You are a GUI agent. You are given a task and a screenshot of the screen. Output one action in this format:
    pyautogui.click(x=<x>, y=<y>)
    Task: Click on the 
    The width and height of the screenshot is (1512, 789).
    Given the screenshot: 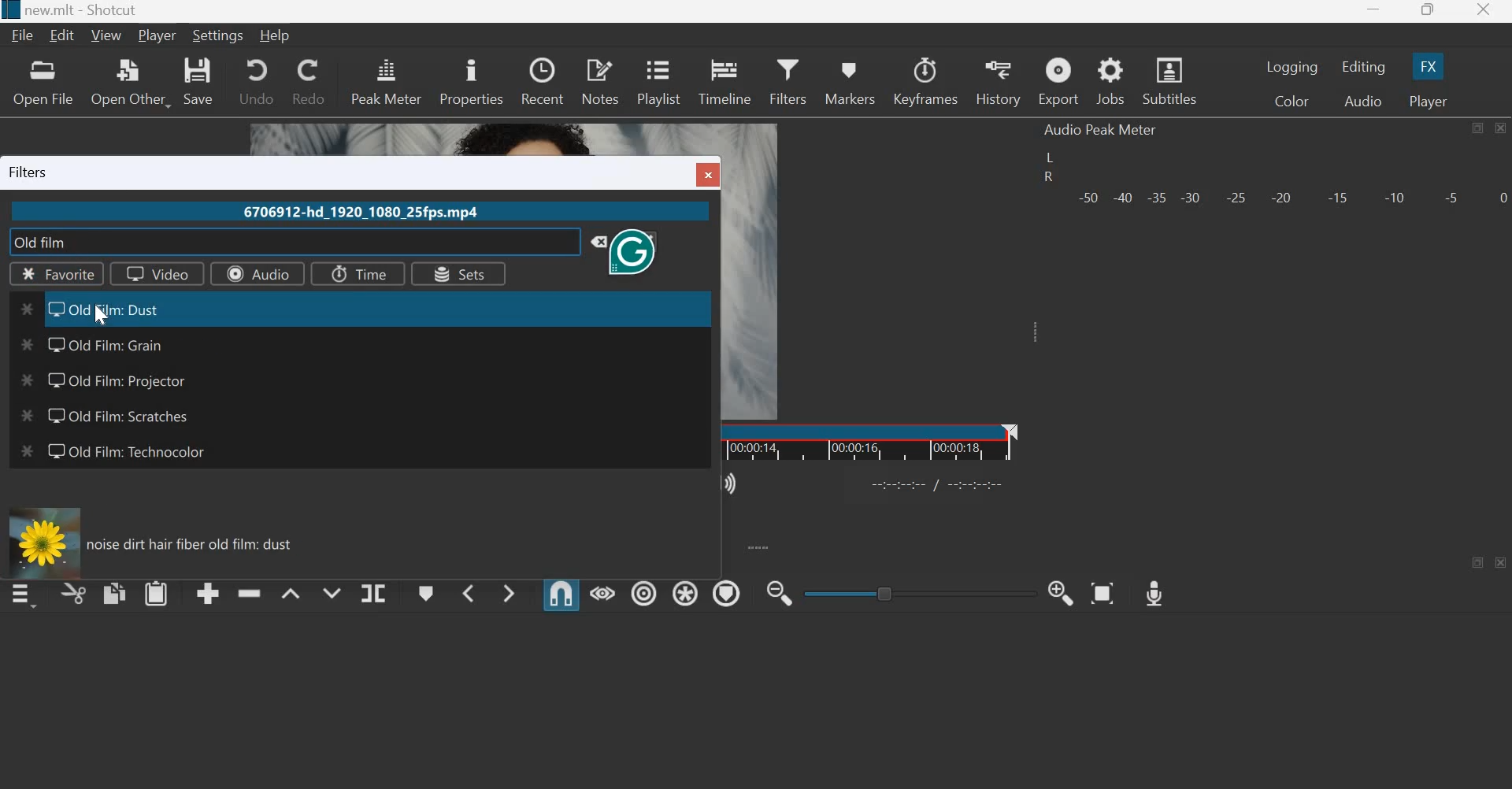 What is the action you would take?
    pyautogui.click(x=42, y=543)
    